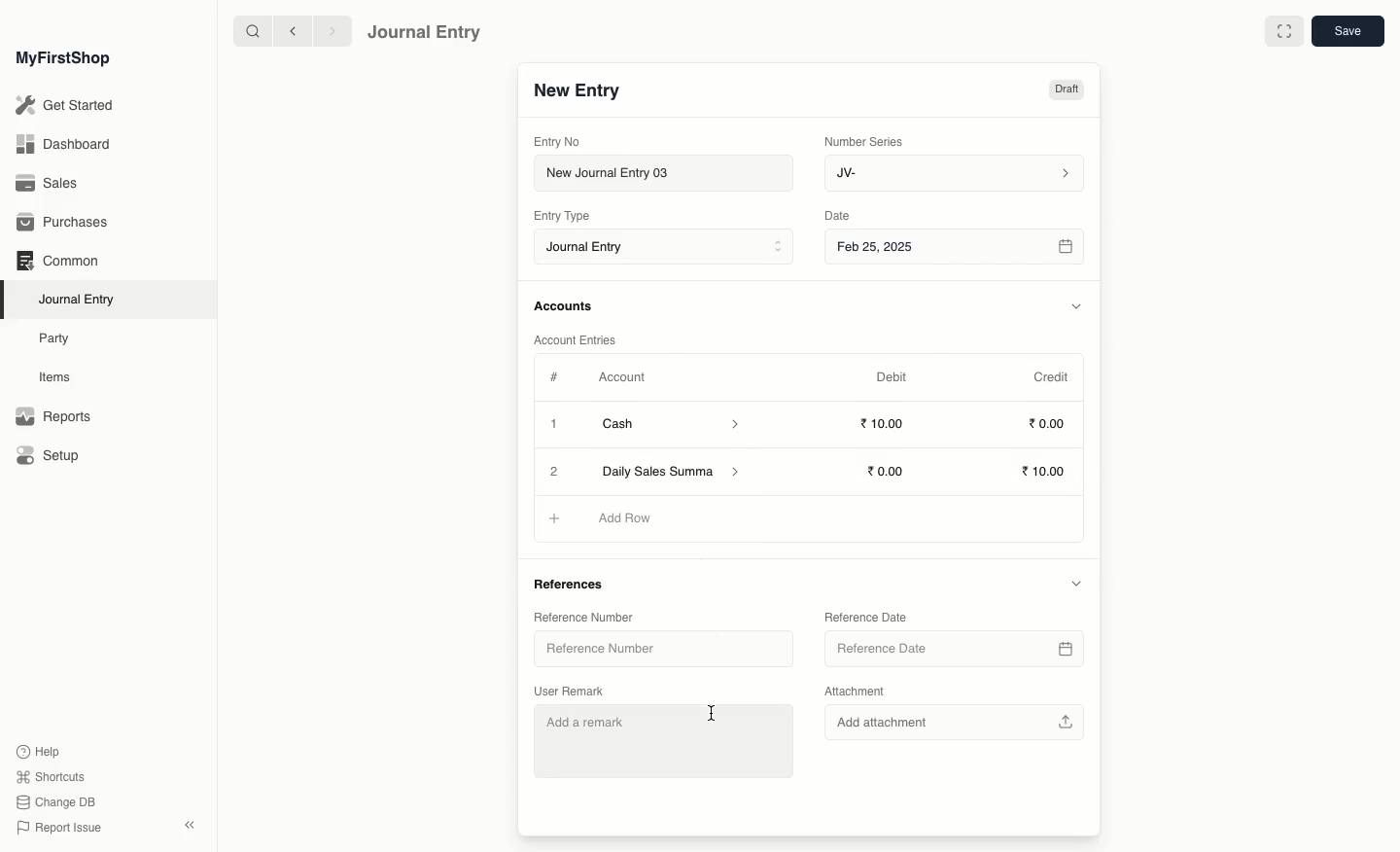 Image resolution: width=1400 pixels, height=852 pixels. I want to click on Account Entries, so click(582, 340).